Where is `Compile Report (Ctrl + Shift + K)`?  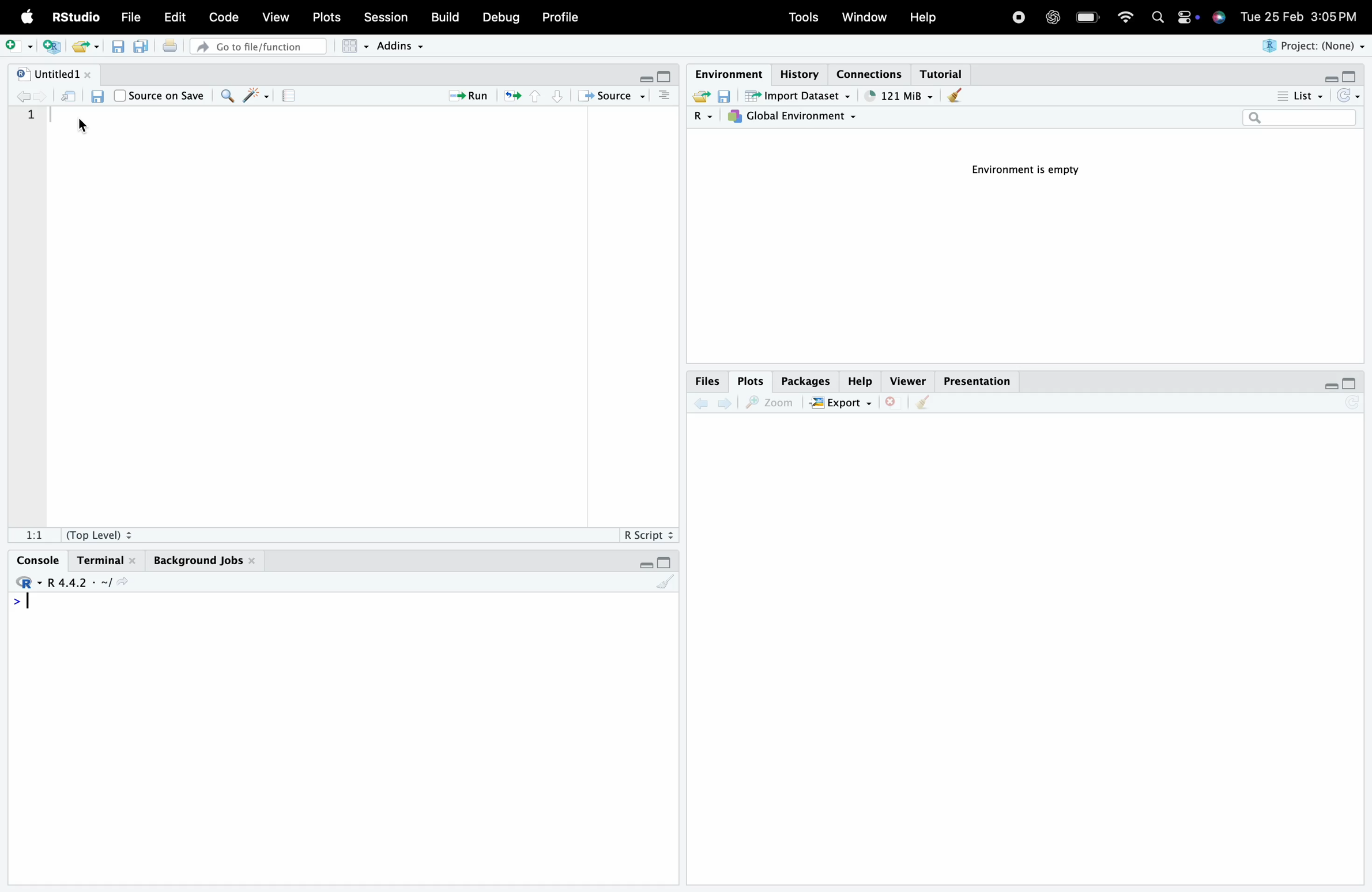
Compile Report (Ctrl + Shift + K) is located at coordinates (288, 95).